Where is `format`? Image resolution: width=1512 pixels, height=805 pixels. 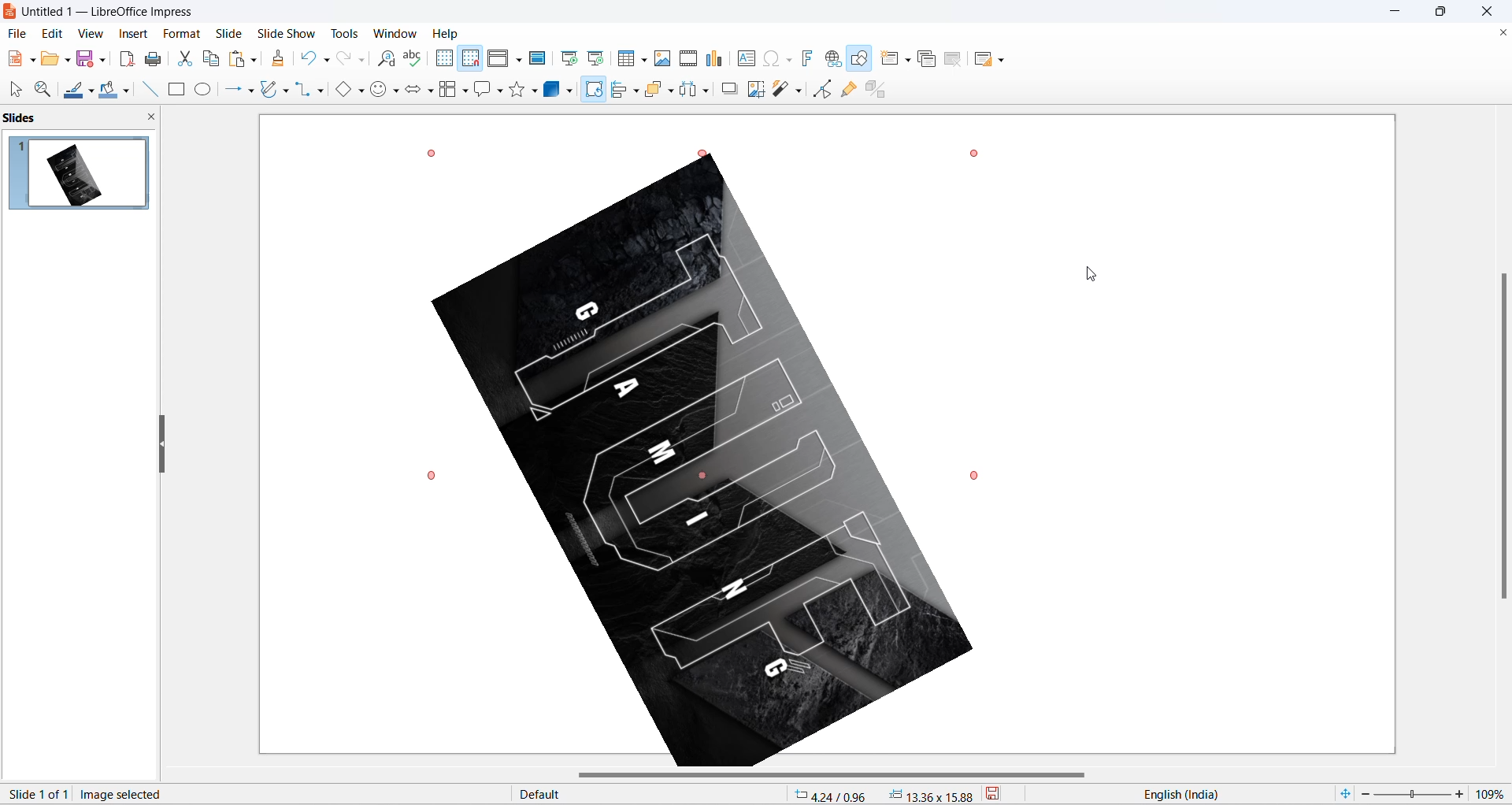 format is located at coordinates (179, 35).